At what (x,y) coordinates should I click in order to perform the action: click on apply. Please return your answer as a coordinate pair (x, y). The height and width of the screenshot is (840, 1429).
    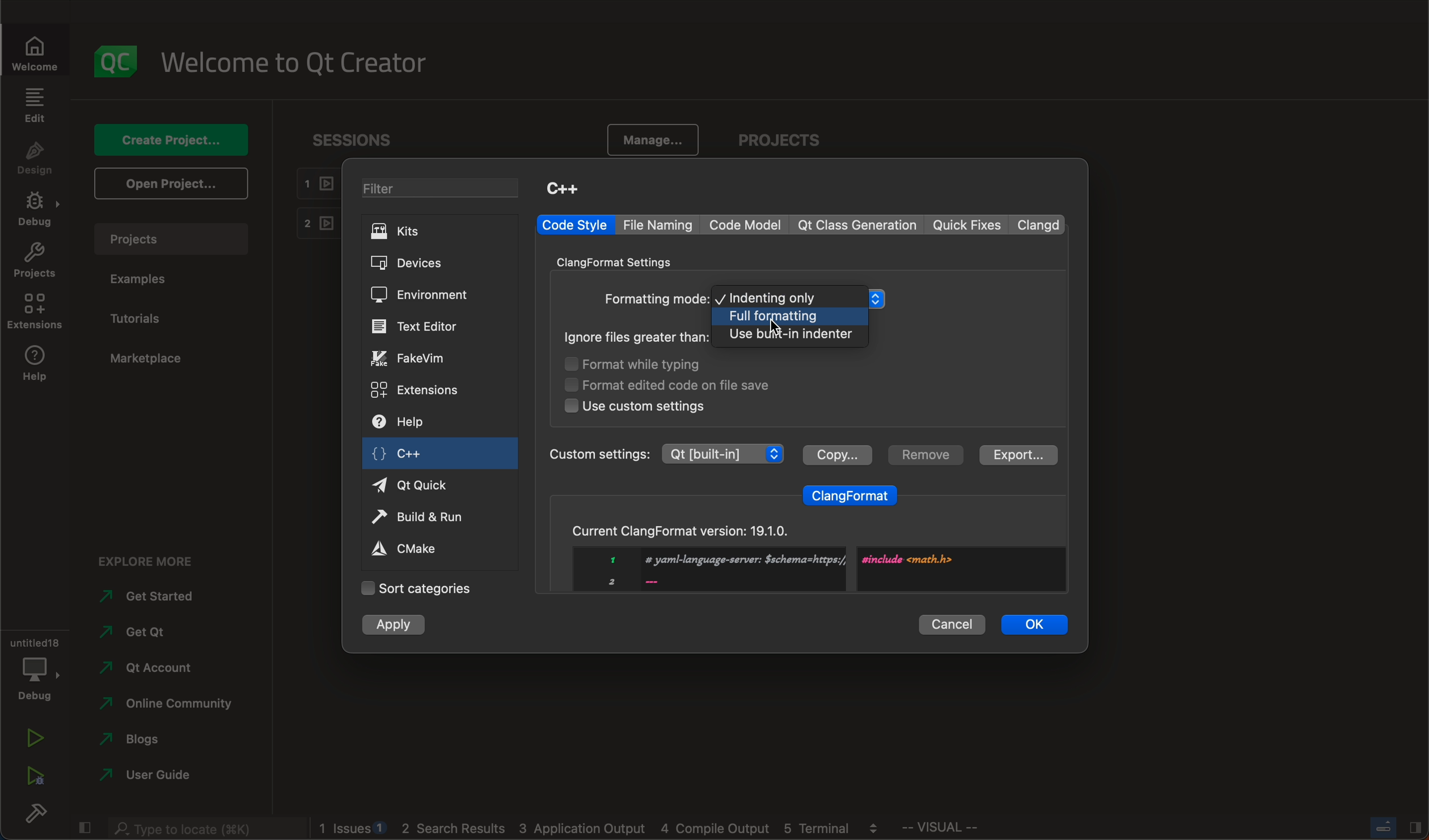
    Looking at the image, I should click on (395, 626).